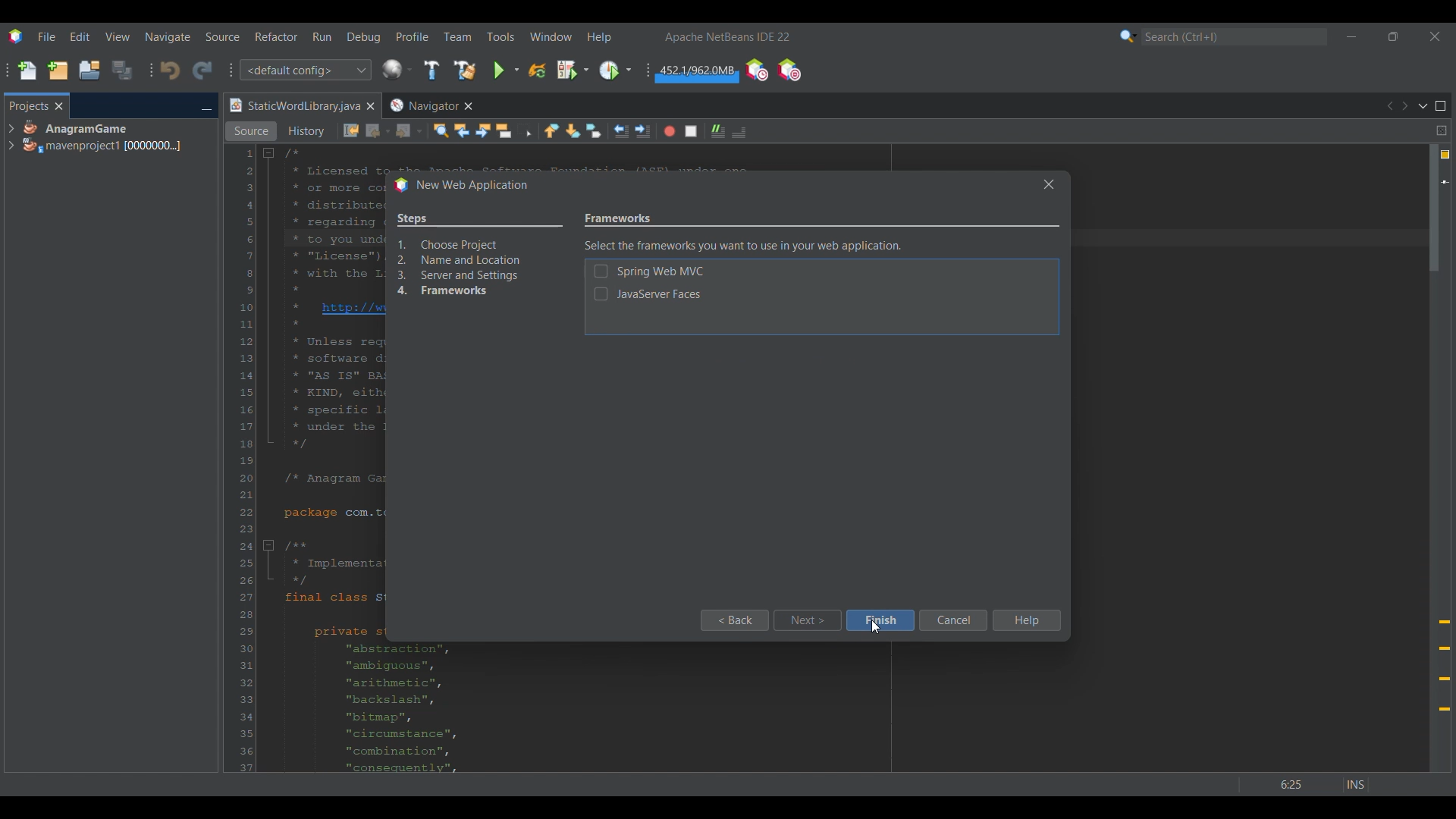  Describe the element at coordinates (409, 131) in the screenshot. I see `Forward` at that location.